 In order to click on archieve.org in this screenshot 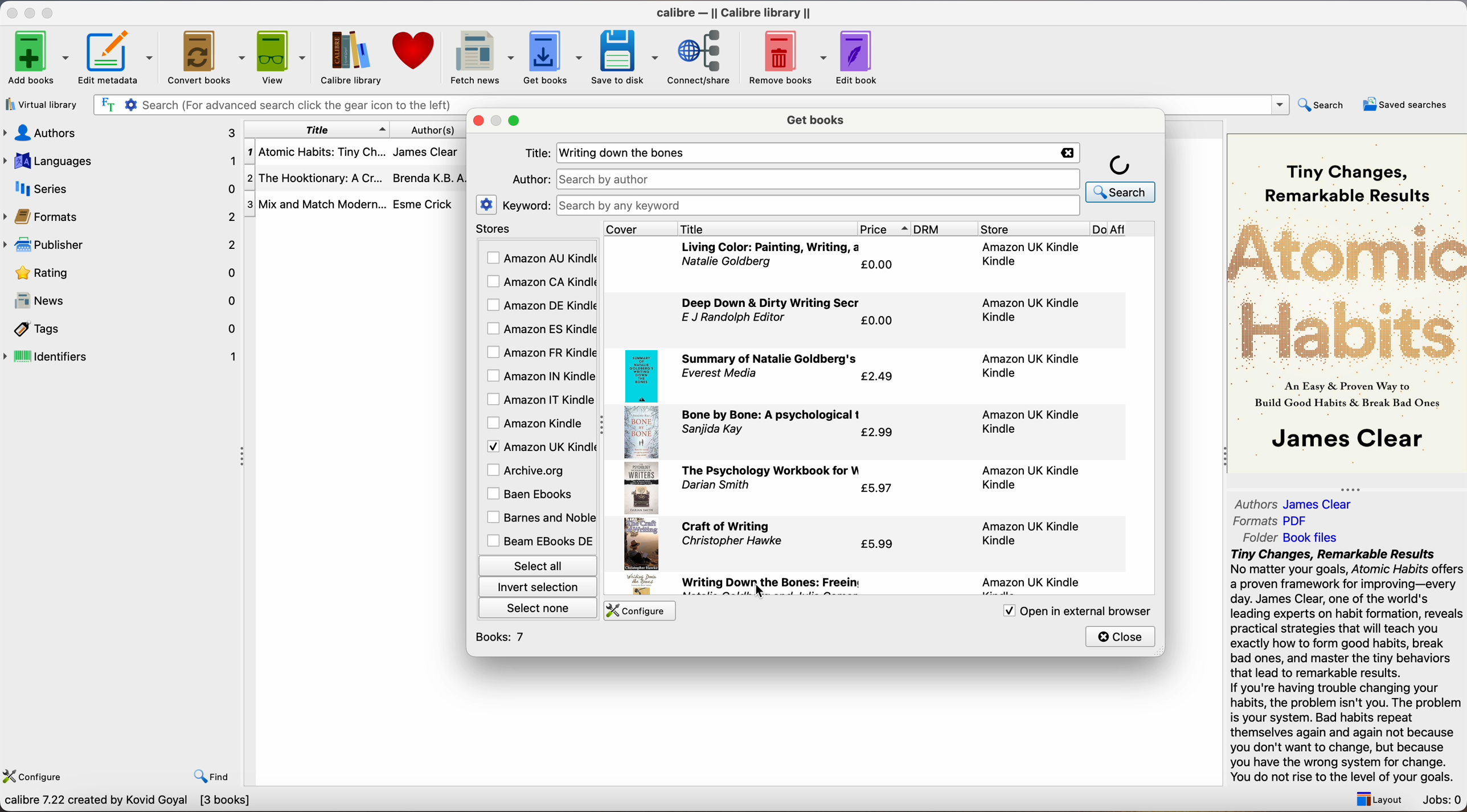, I will do `click(528, 470)`.